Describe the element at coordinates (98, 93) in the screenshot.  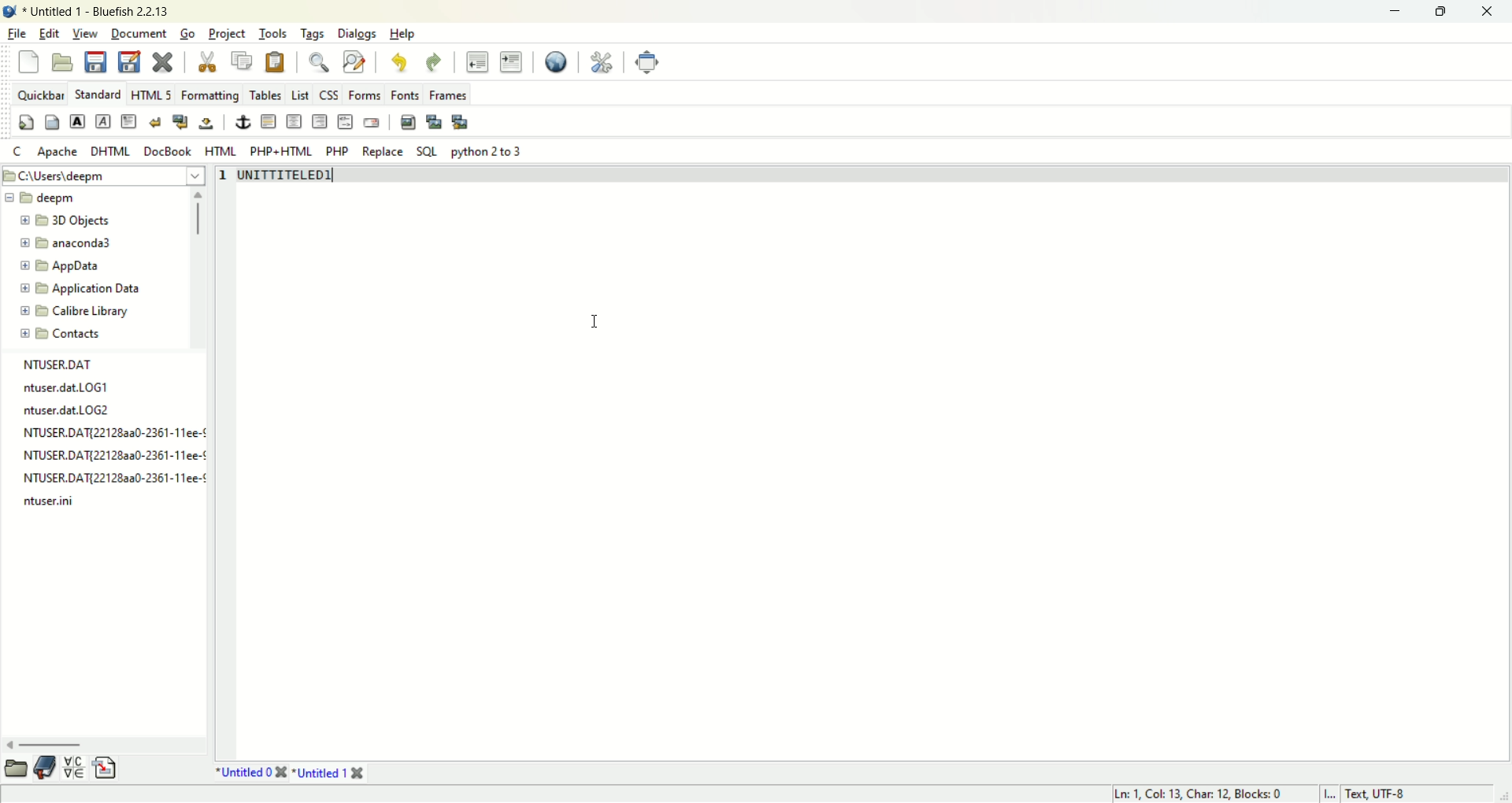
I see `STANDARD` at that location.